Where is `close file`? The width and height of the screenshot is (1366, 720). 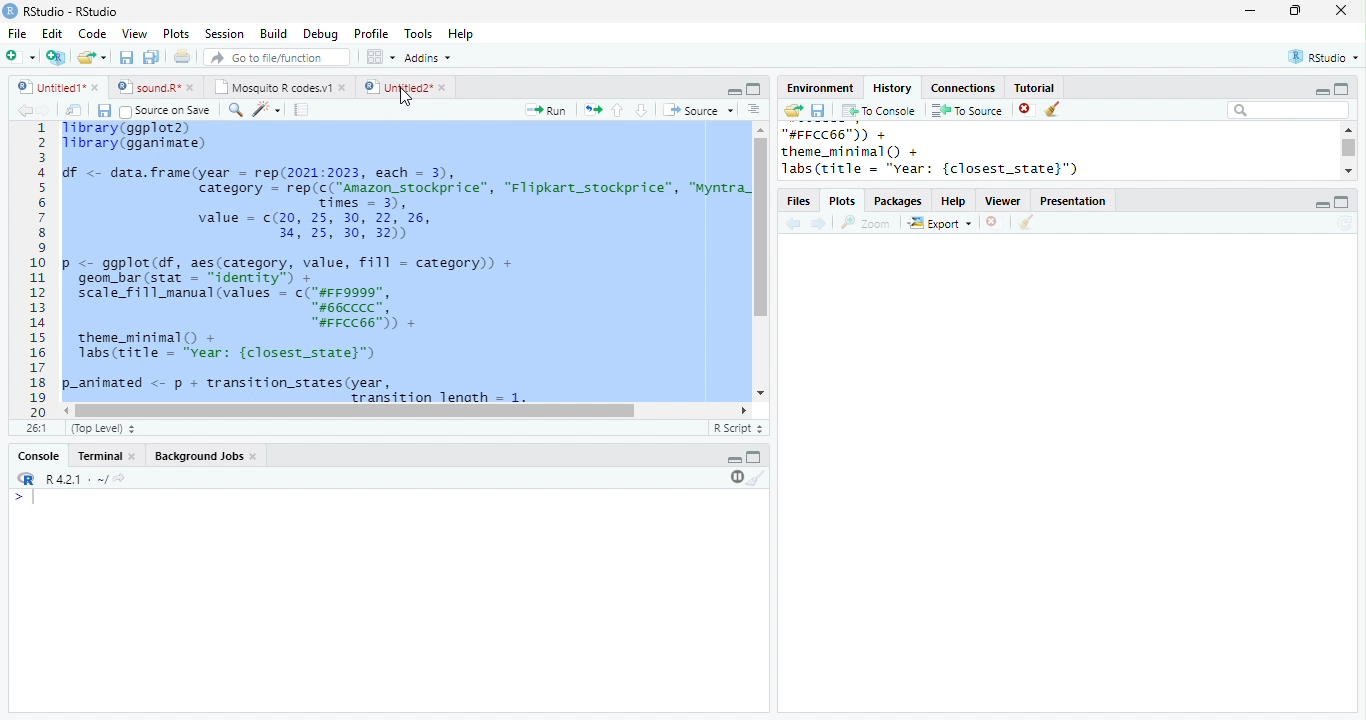 close file is located at coordinates (992, 222).